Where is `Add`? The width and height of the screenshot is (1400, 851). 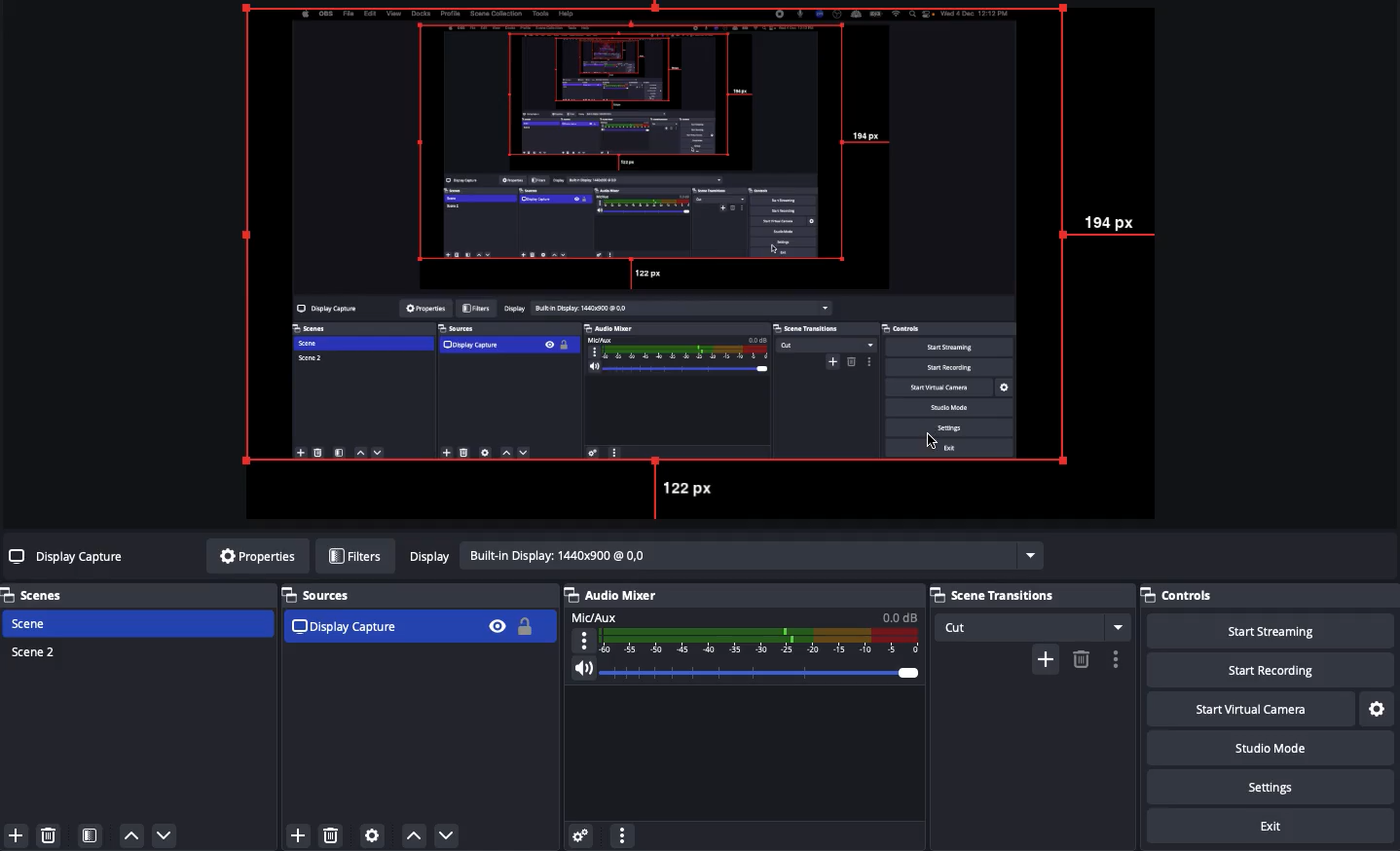 Add is located at coordinates (14, 833).